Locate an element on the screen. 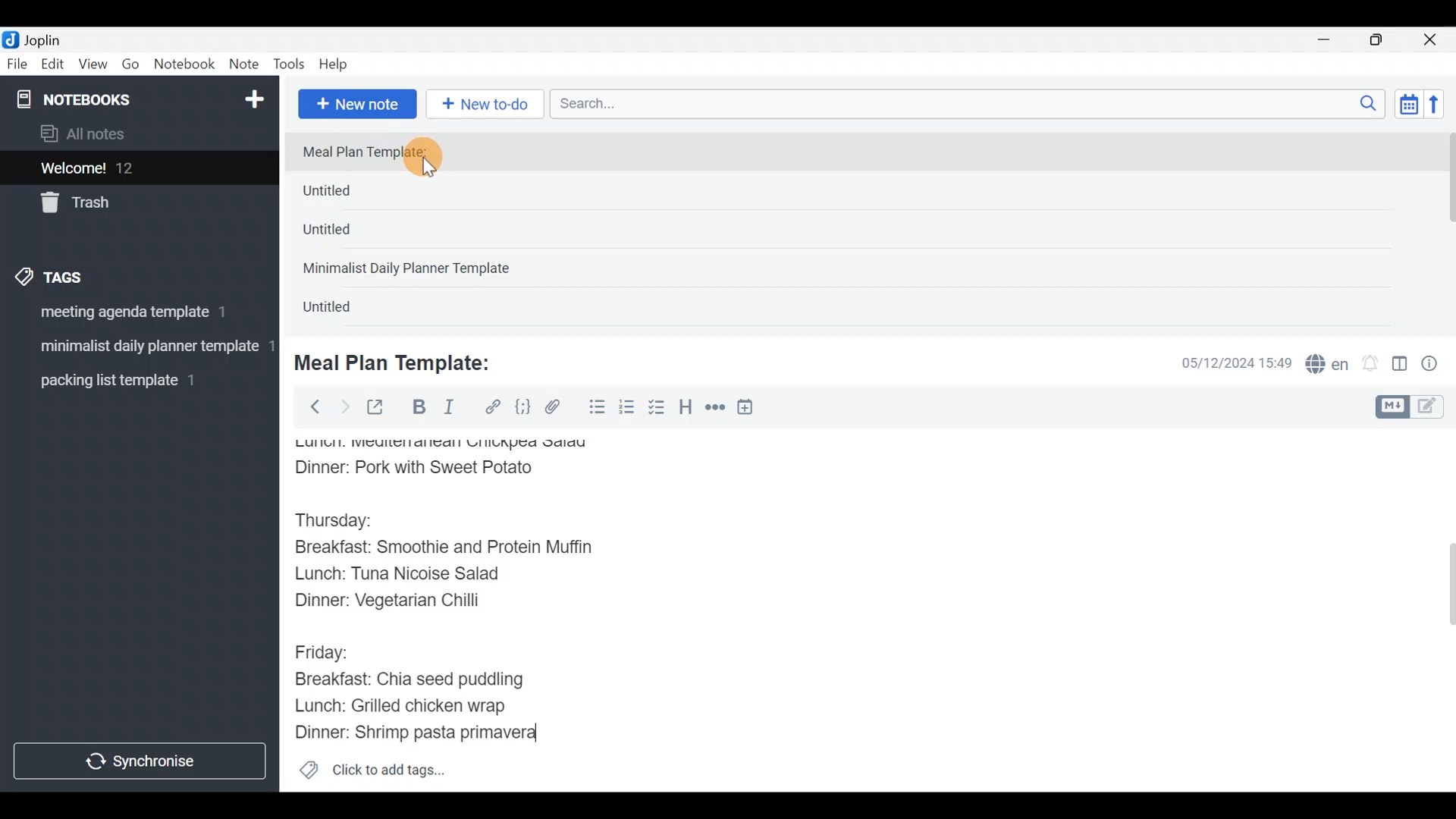 Image resolution: width=1456 pixels, height=819 pixels. Search bar is located at coordinates (971, 102).